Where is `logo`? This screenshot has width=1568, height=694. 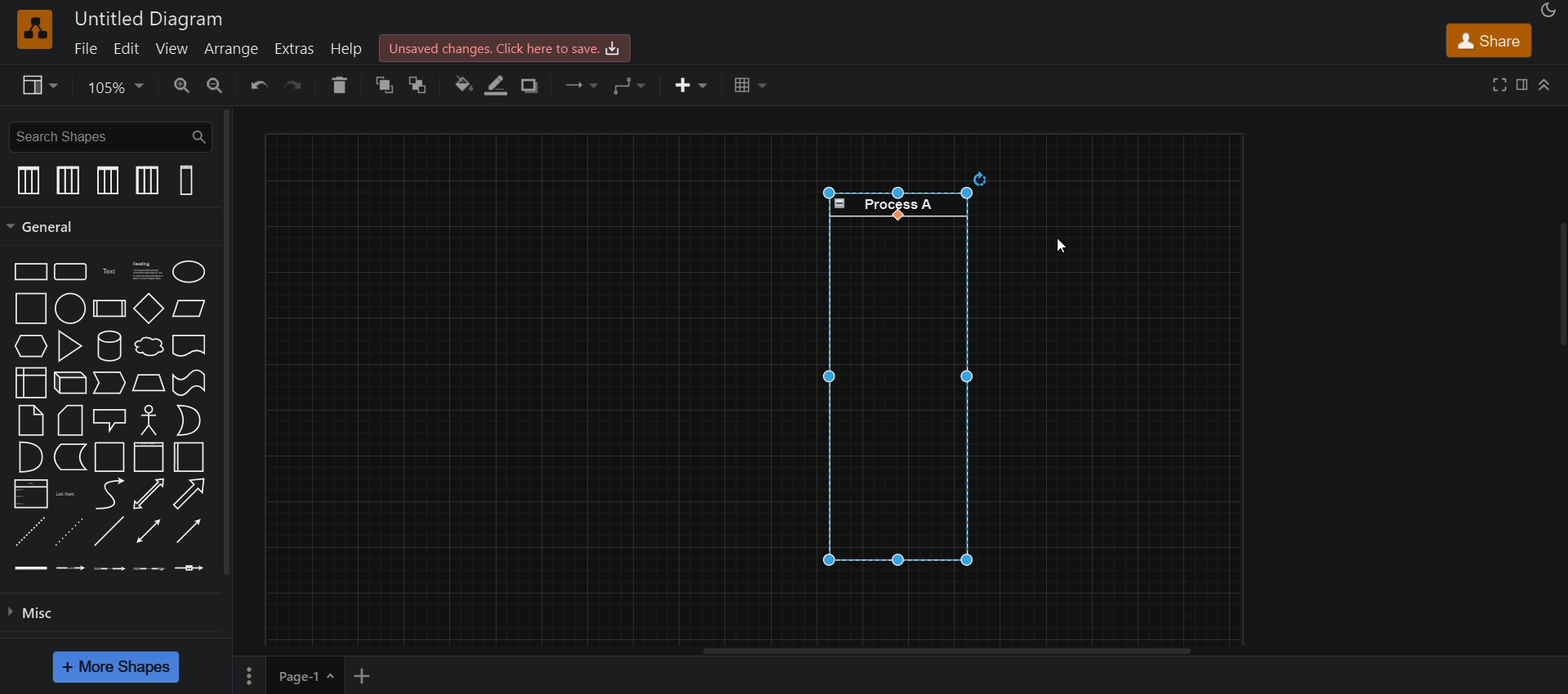 logo is located at coordinates (35, 29).